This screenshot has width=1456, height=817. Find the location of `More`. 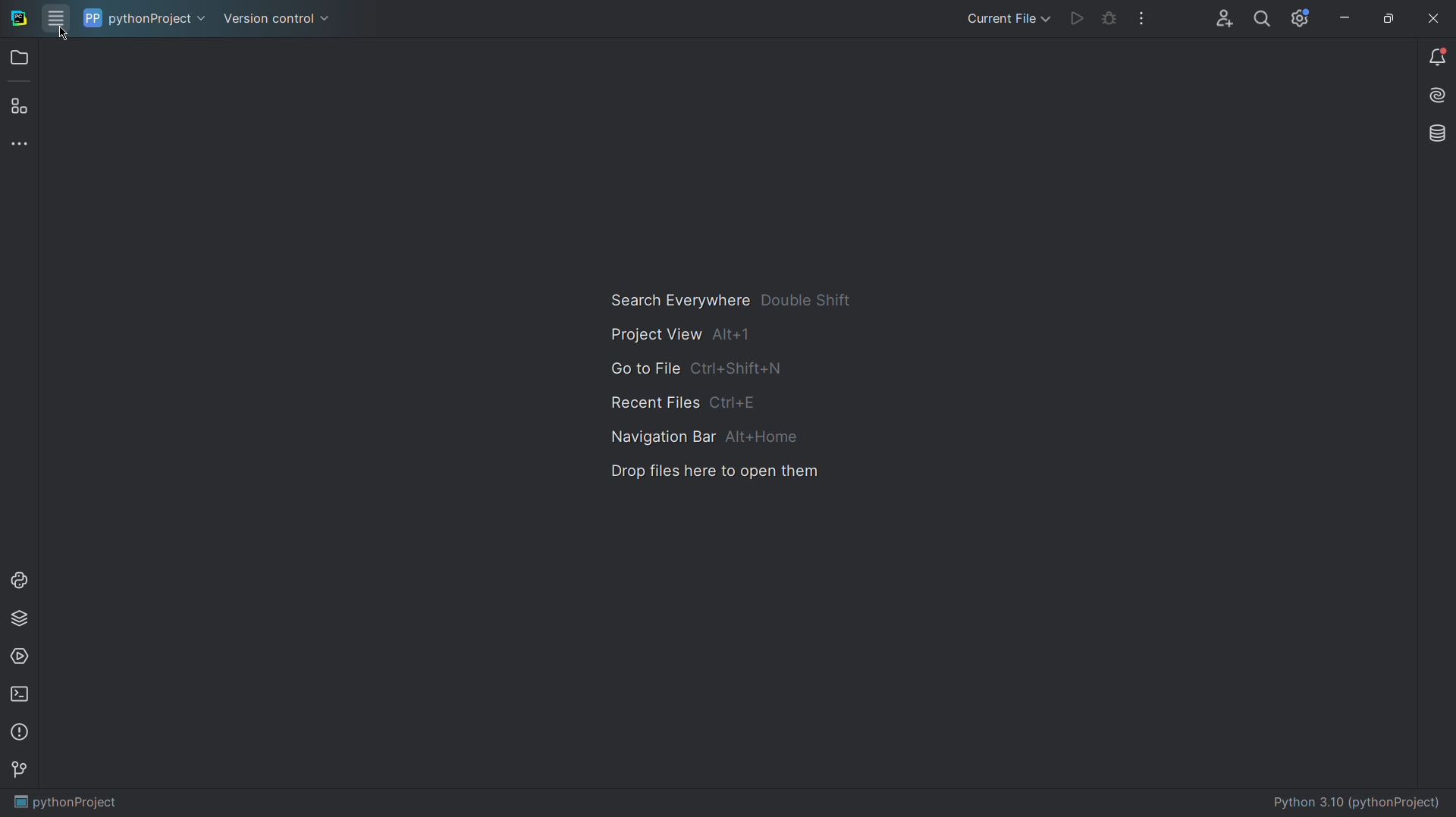

More is located at coordinates (1142, 19).